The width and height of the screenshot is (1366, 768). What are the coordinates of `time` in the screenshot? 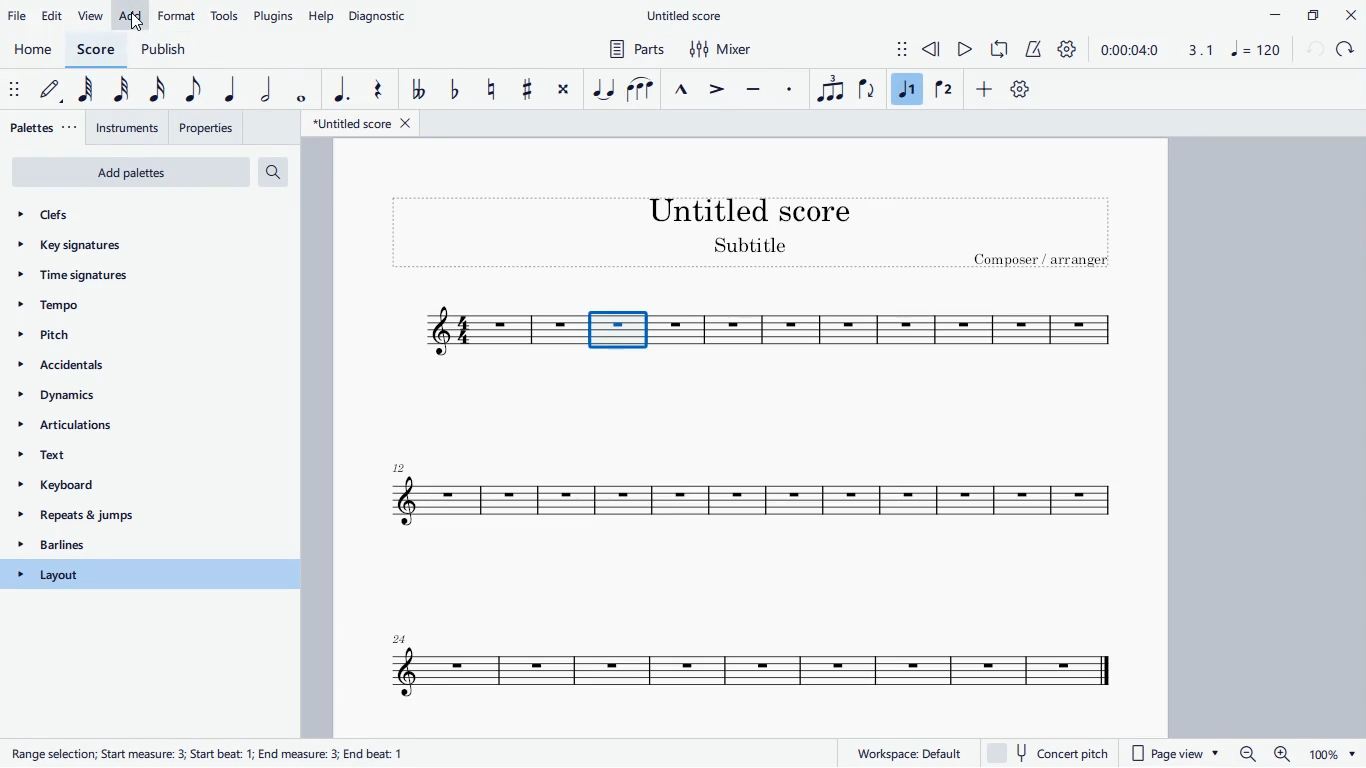 It's located at (1129, 49).